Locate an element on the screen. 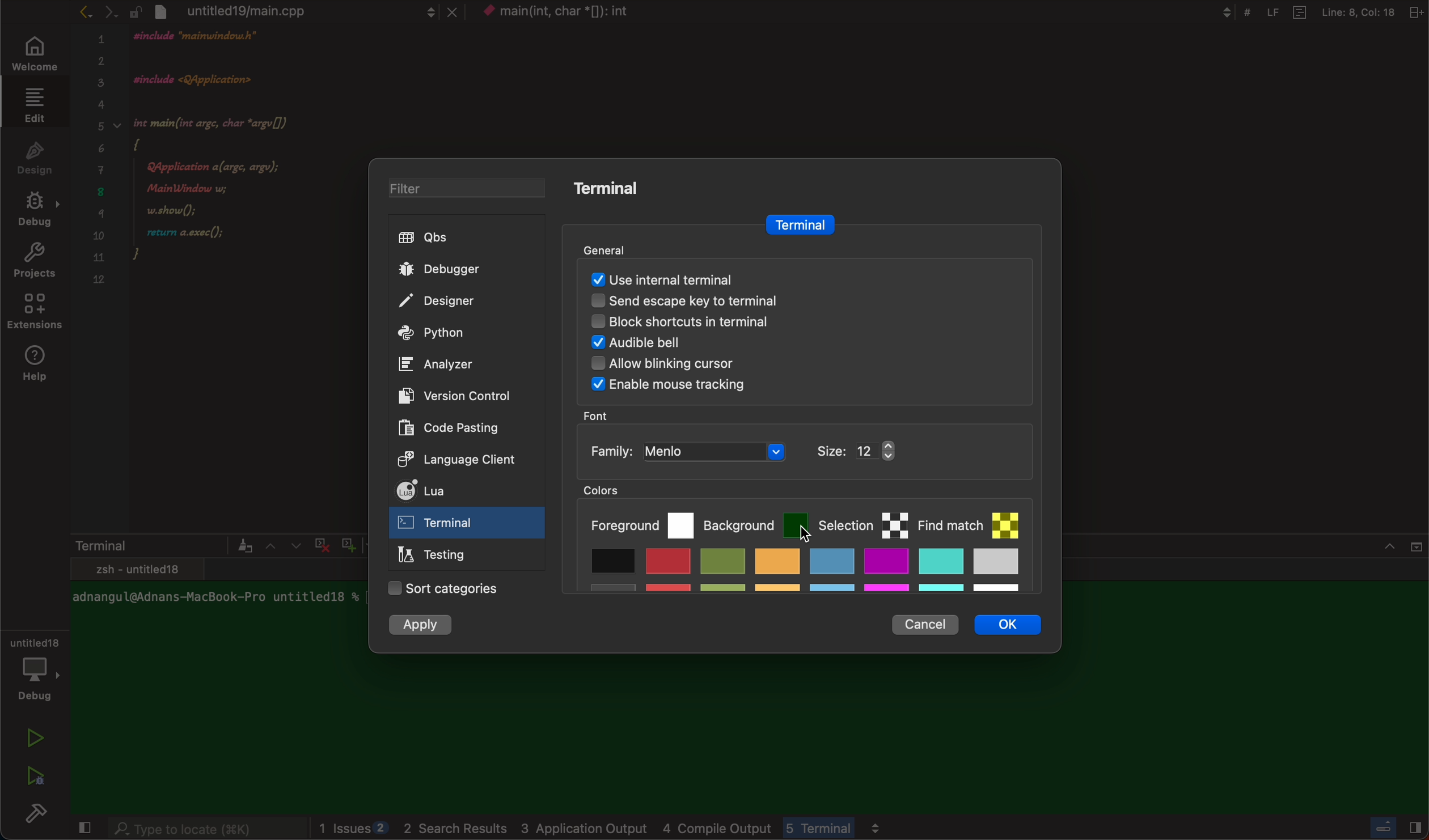 The height and width of the screenshot is (840, 1429). ok is located at coordinates (1016, 628).